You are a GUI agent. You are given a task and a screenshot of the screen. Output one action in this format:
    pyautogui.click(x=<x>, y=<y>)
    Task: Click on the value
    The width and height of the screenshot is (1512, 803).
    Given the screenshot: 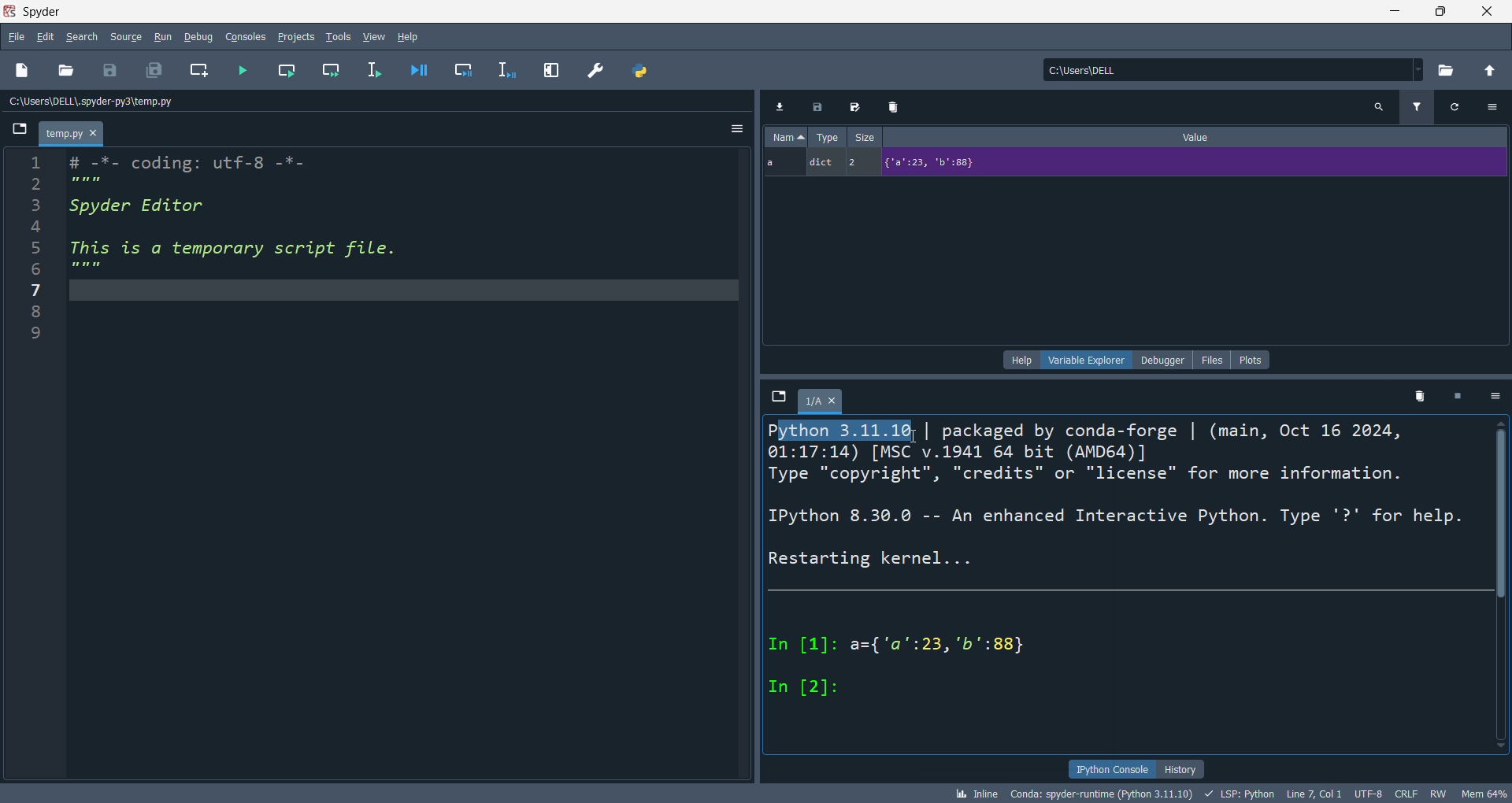 What is the action you would take?
    pyautogui.click(x=1199, y=135)
    